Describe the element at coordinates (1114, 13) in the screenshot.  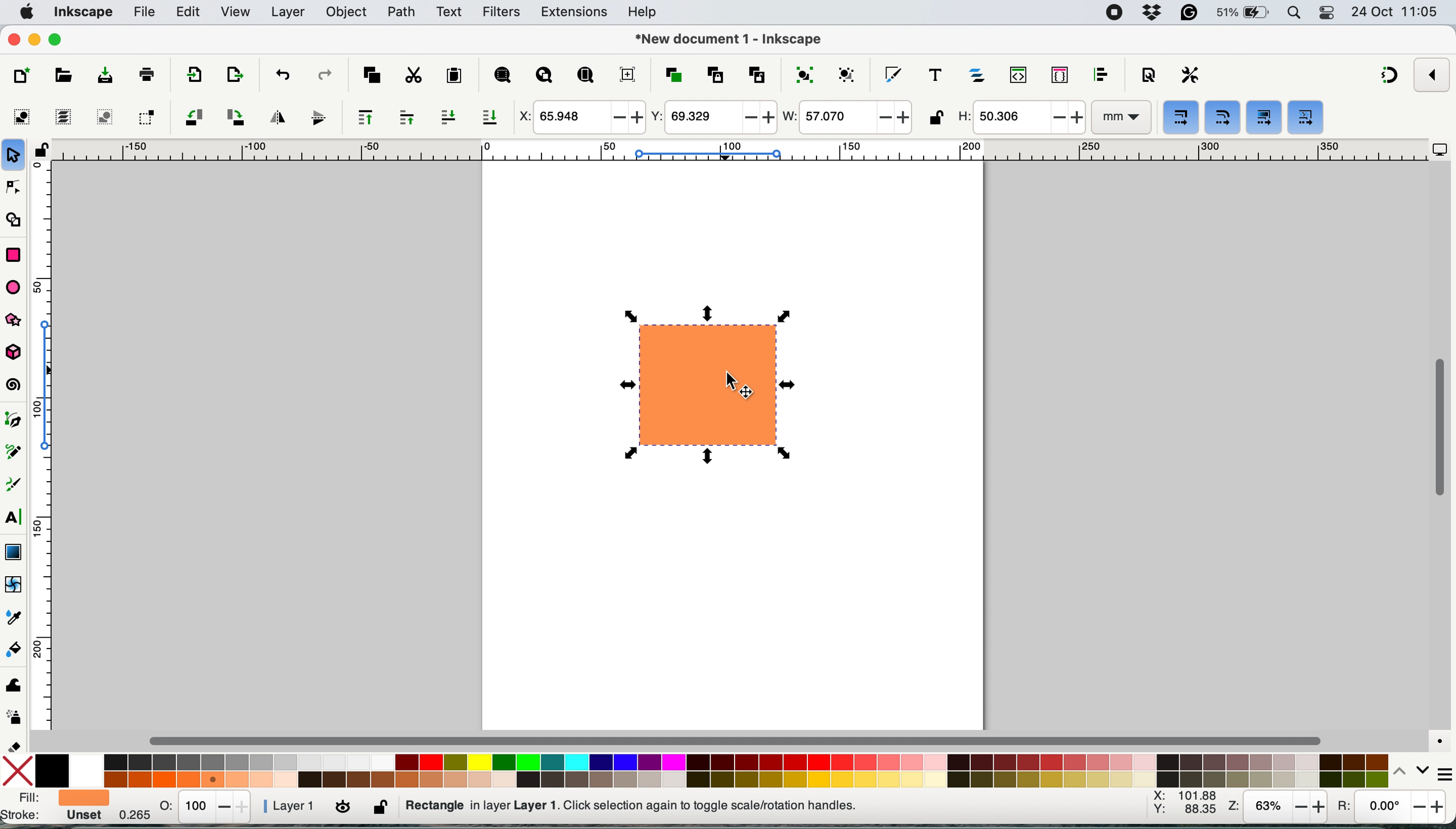
I see `screen recorder` at that location.